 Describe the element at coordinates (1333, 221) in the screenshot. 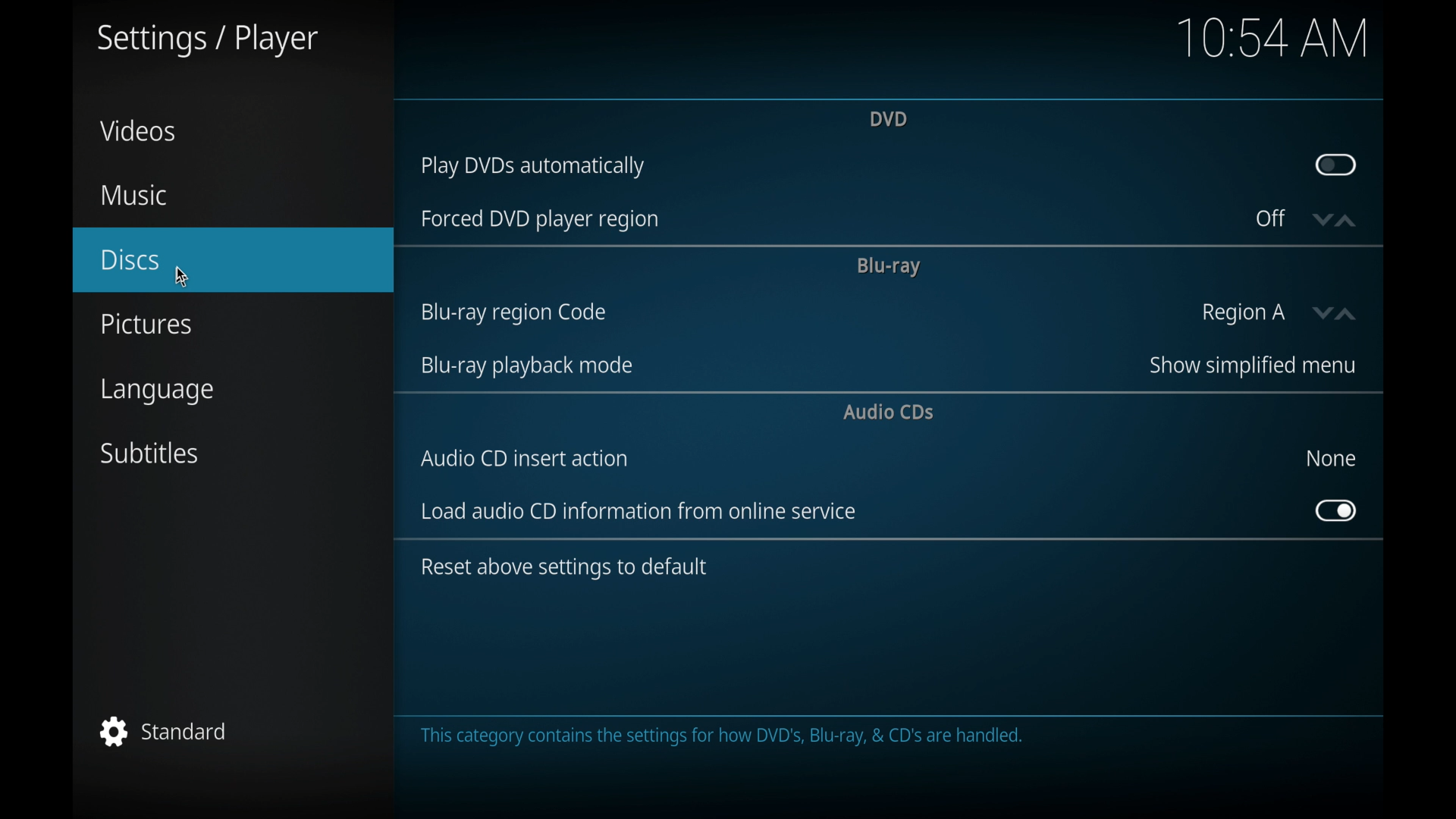

I see `stepper buttons` at that location.